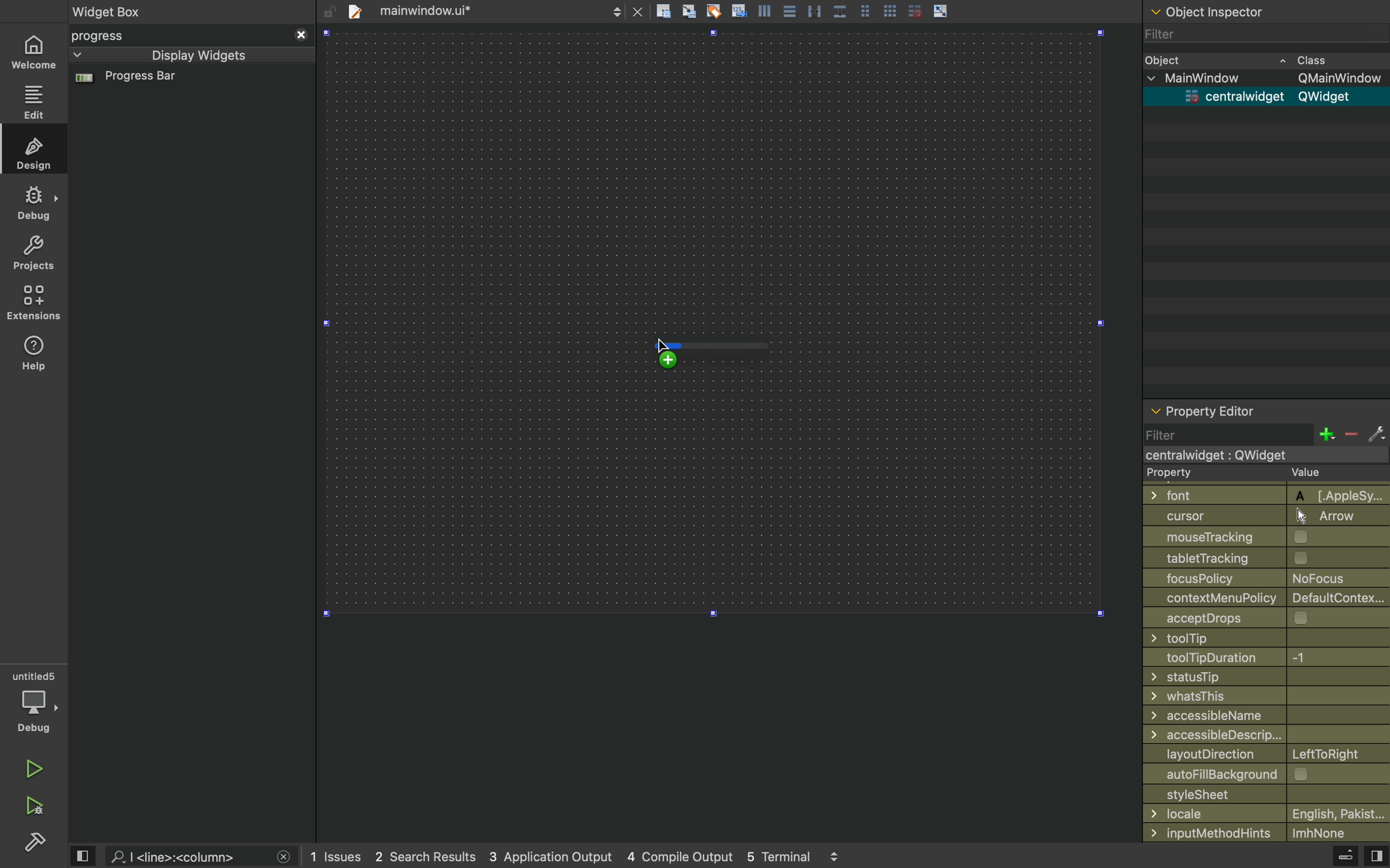  Describe the element at coordinates (856, 11) in the screenshot. I see `layout actions` at that location.